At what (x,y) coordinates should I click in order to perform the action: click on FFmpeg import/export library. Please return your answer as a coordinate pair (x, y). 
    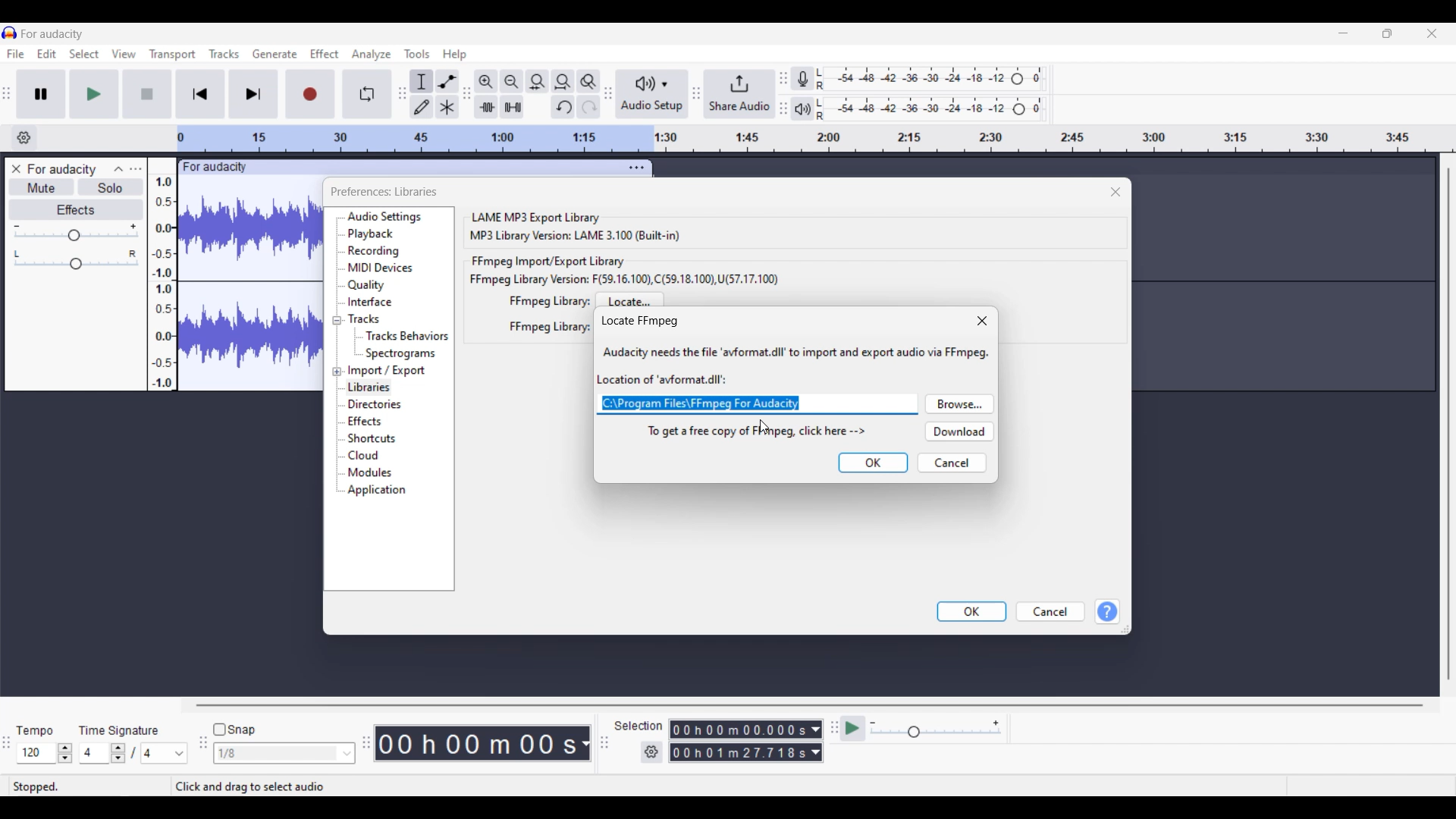
    Looking at the image, I should click on (550, 262).